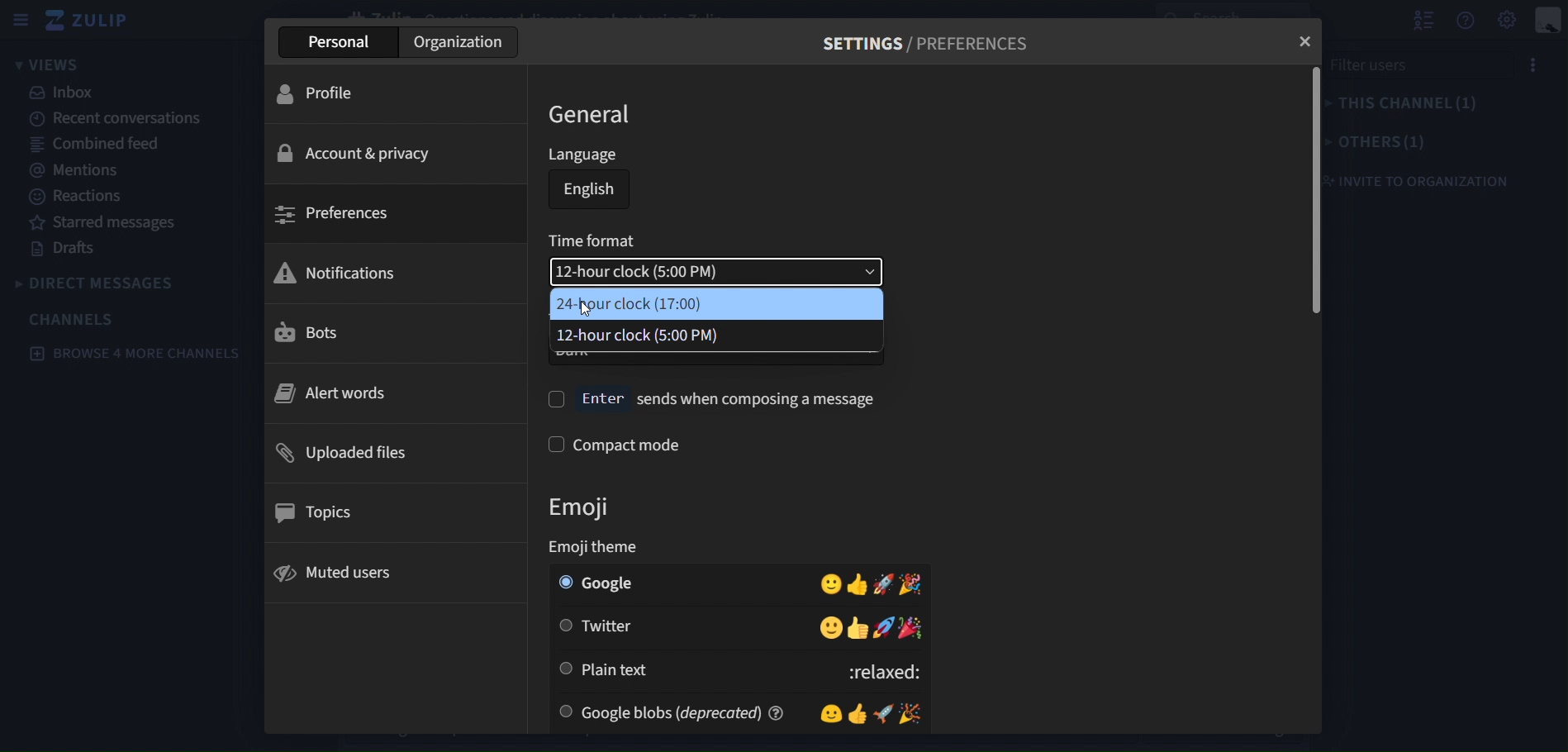  Describe the element at coordinates (879, 713) in the screenshot. I see `Emojis` at that location.